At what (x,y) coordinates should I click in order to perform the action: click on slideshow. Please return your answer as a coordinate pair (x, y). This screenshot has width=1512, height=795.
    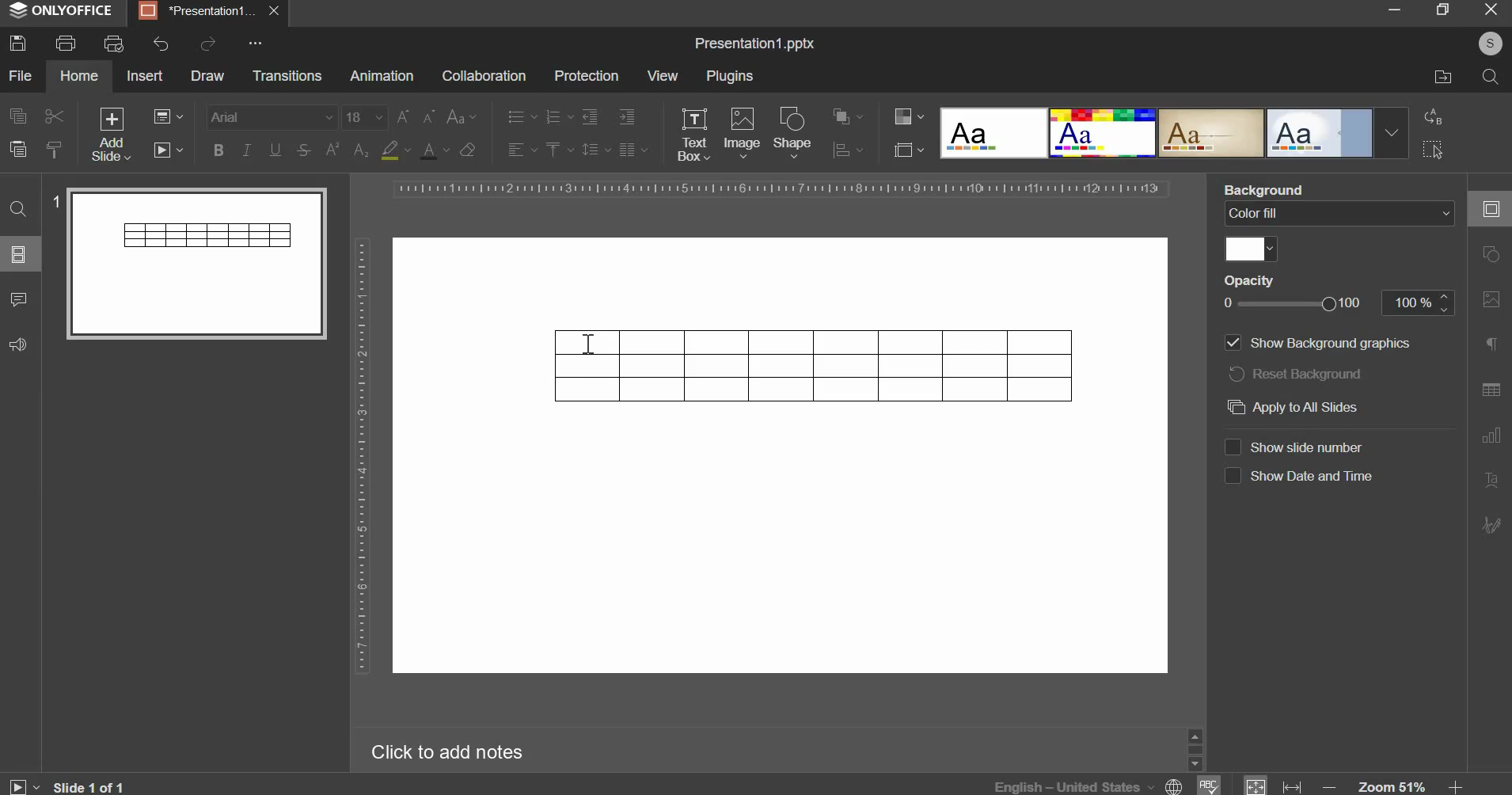
    Looking at the image, I should click on (169, 148).